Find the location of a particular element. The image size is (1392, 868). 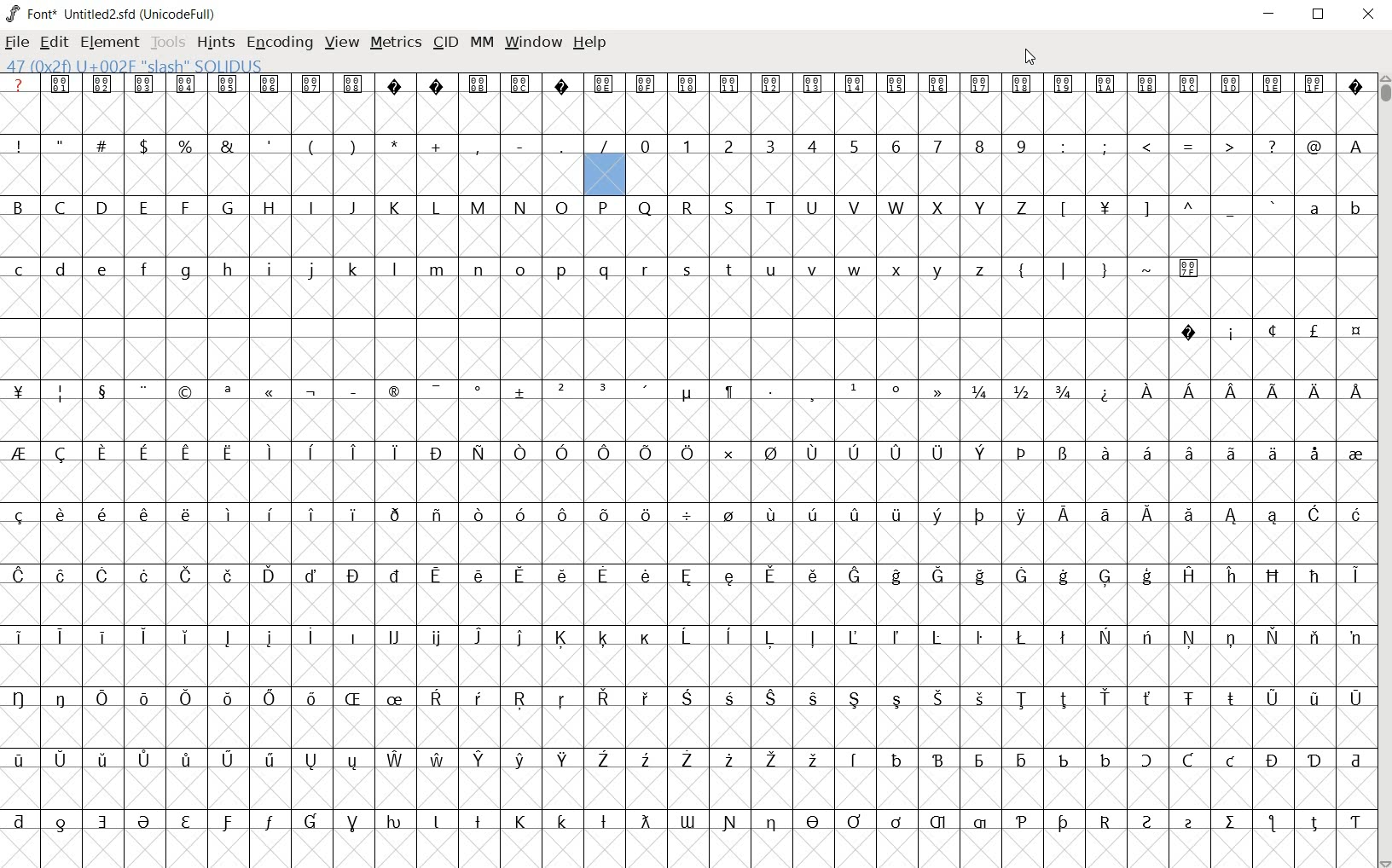

VIEW is located at coordinates (342, 43).